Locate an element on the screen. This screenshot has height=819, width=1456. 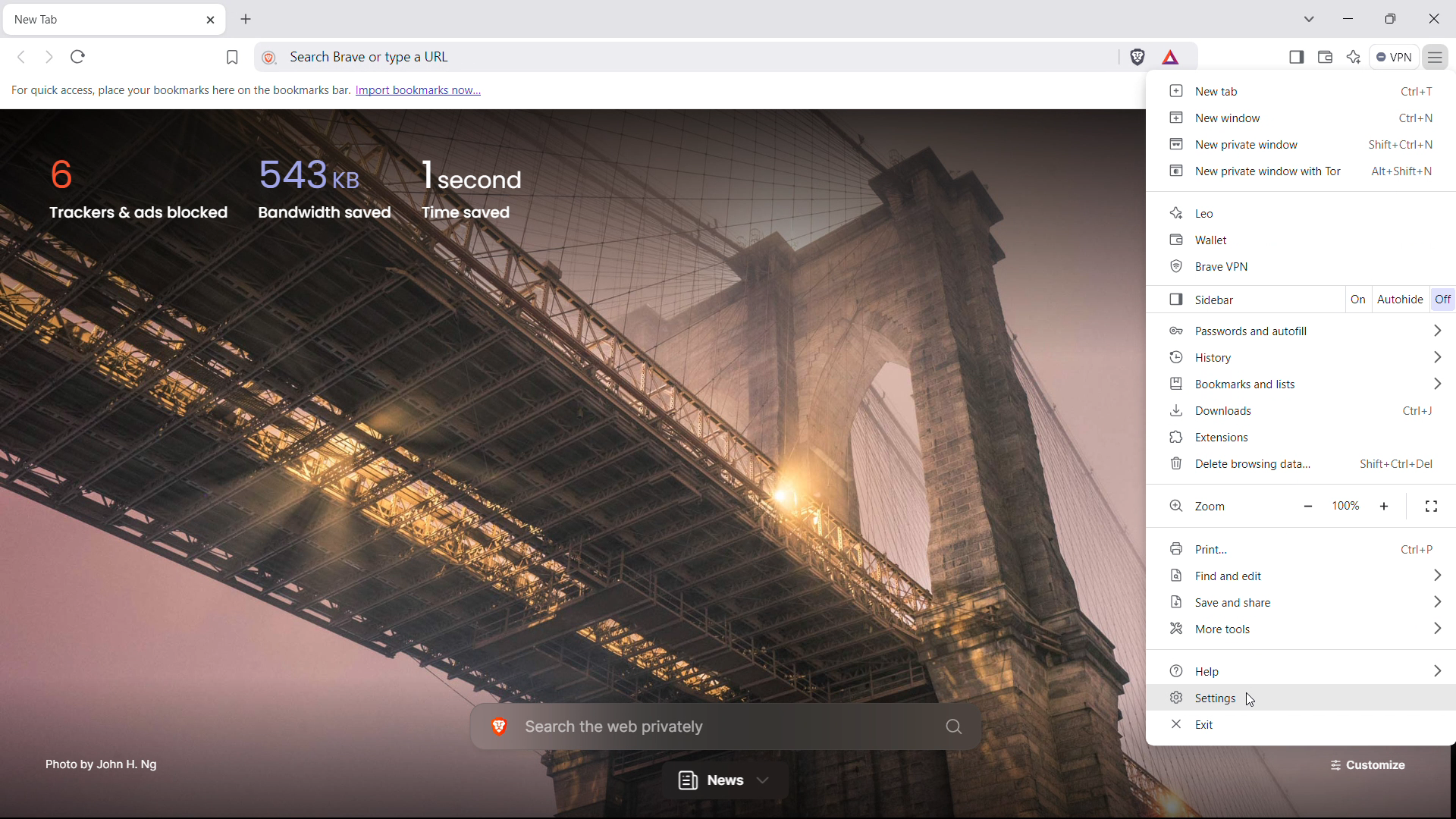
brave shields is located at coordinates (1137, 56).